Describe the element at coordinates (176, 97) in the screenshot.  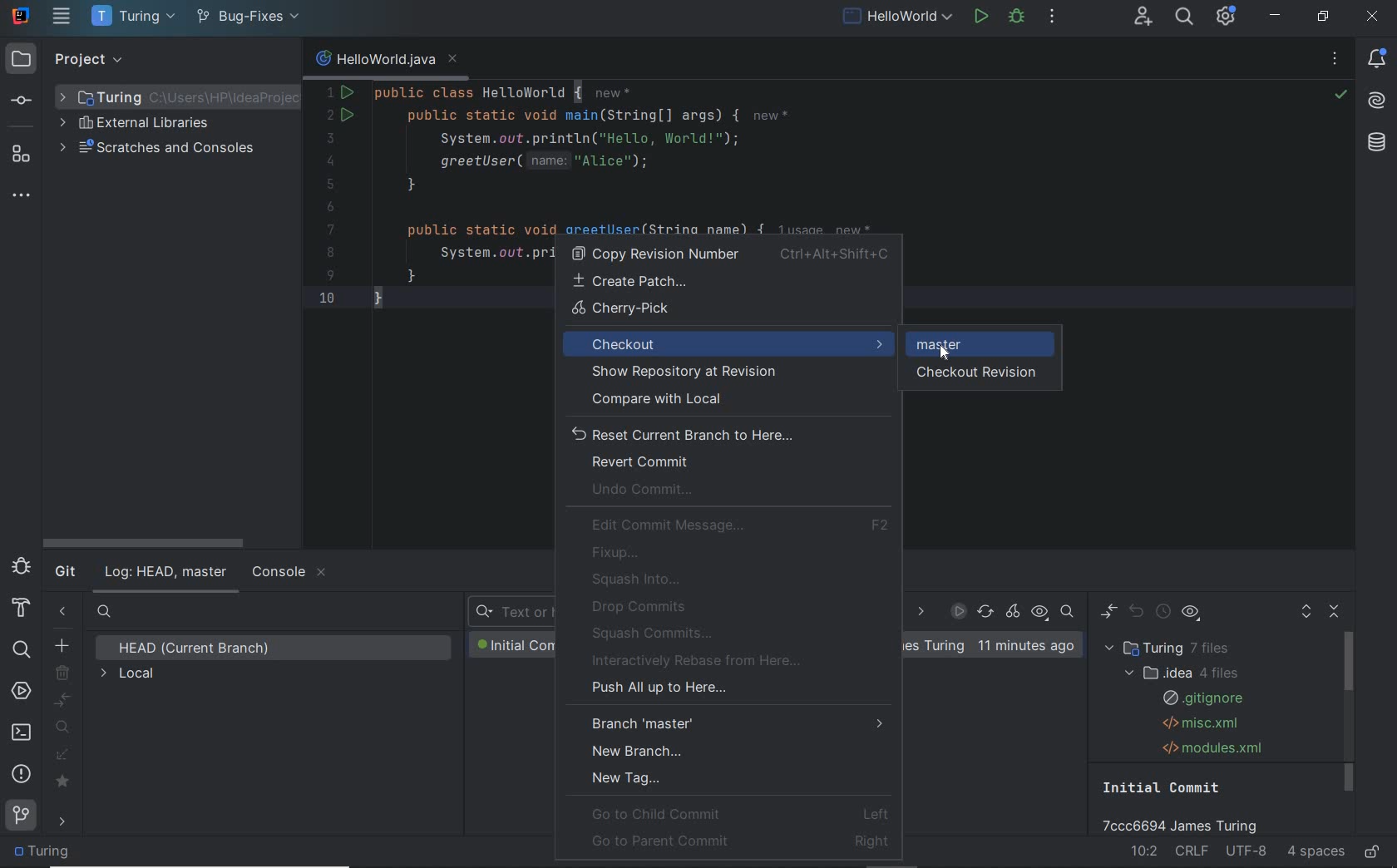
I see `selected folder` at that location.